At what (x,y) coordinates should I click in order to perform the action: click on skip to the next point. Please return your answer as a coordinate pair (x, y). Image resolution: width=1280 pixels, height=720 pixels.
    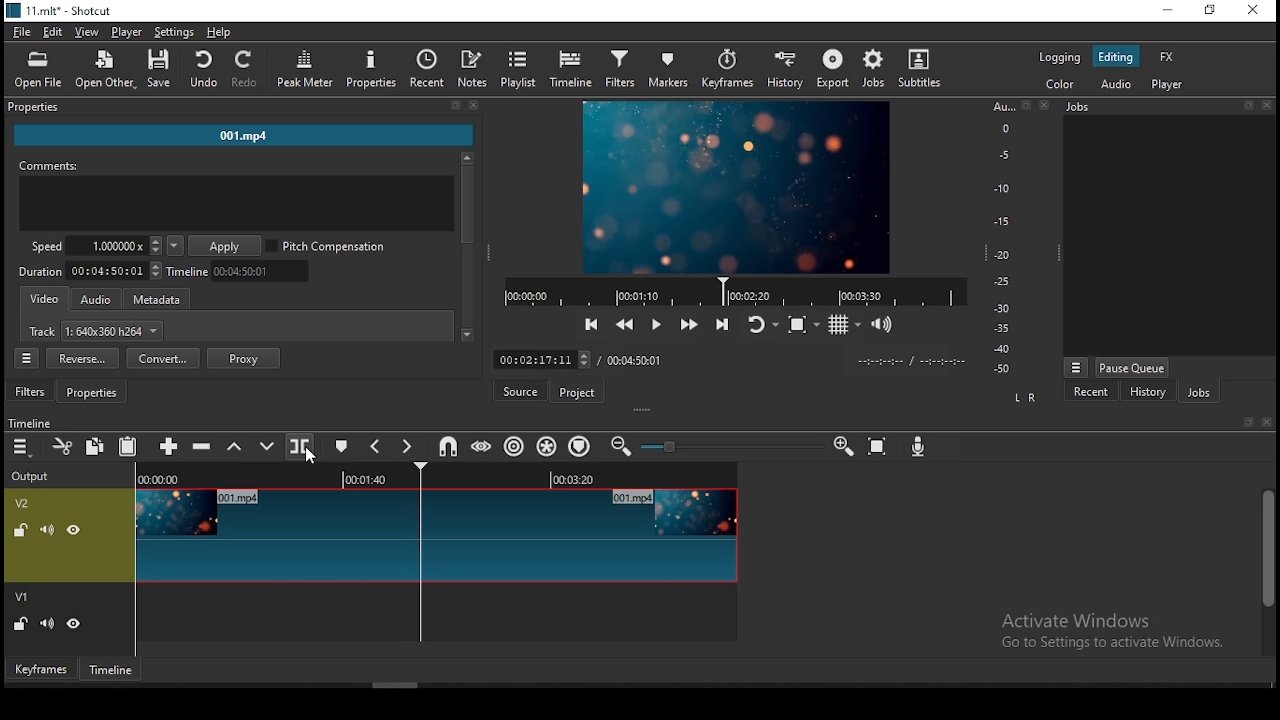
    Looking at the image, I should click on (726, 323).